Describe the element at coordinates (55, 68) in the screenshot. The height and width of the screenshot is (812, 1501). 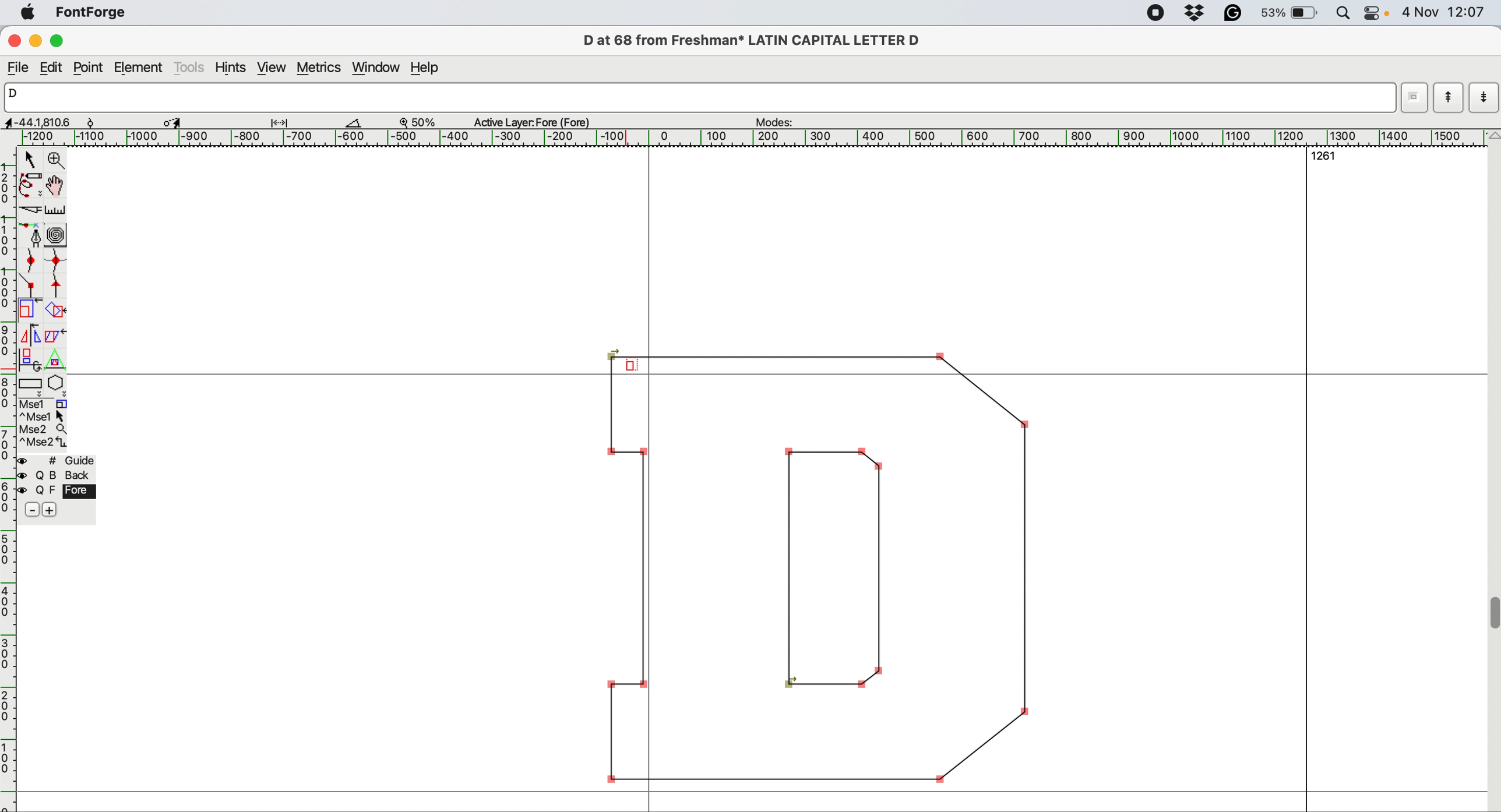
I see `edit` at that location.